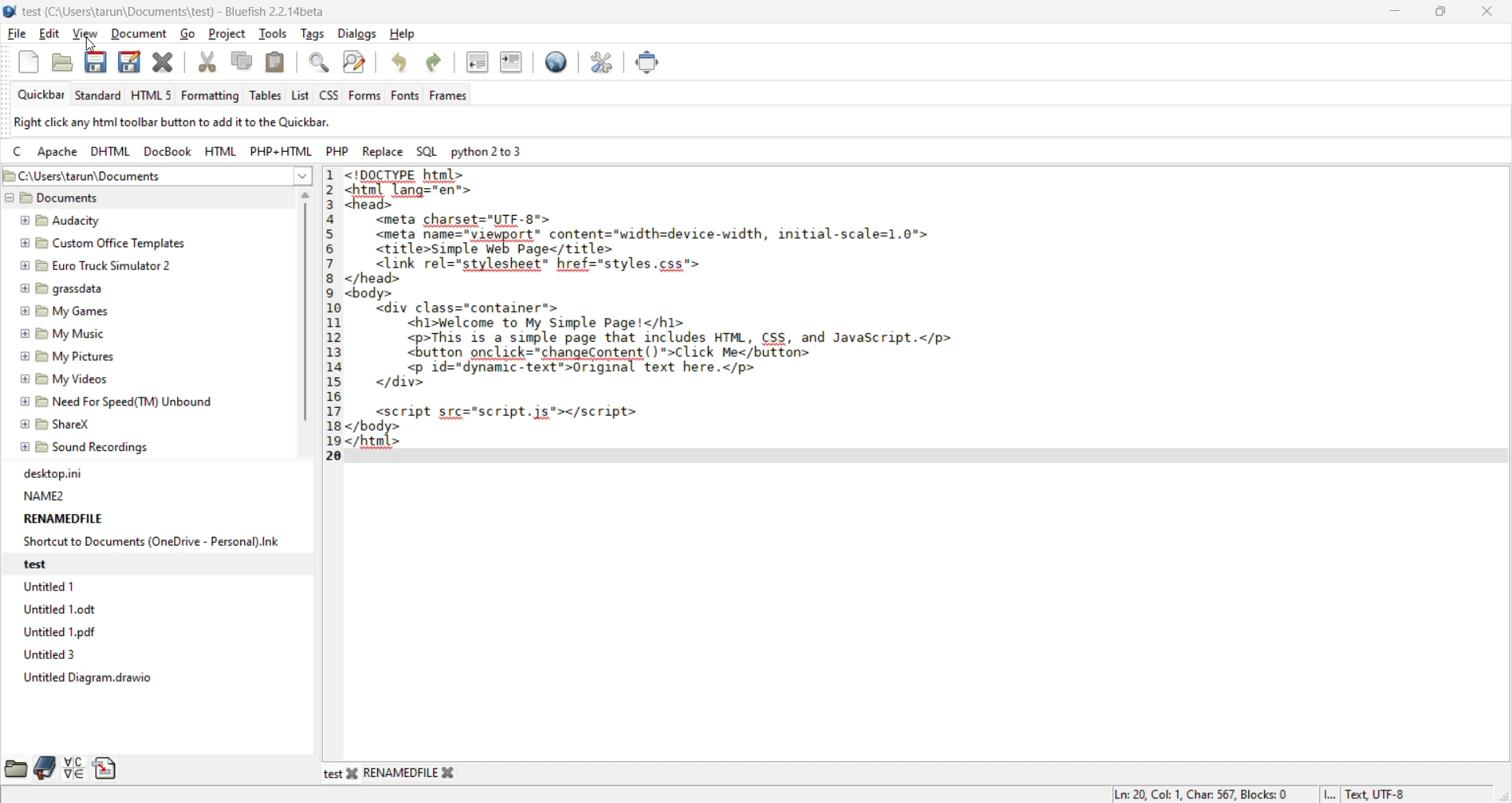 This screenshot has width=1512, height=803. Describe the element at coordinates (454, 96) in the screenshot. I see `frames` at that location.